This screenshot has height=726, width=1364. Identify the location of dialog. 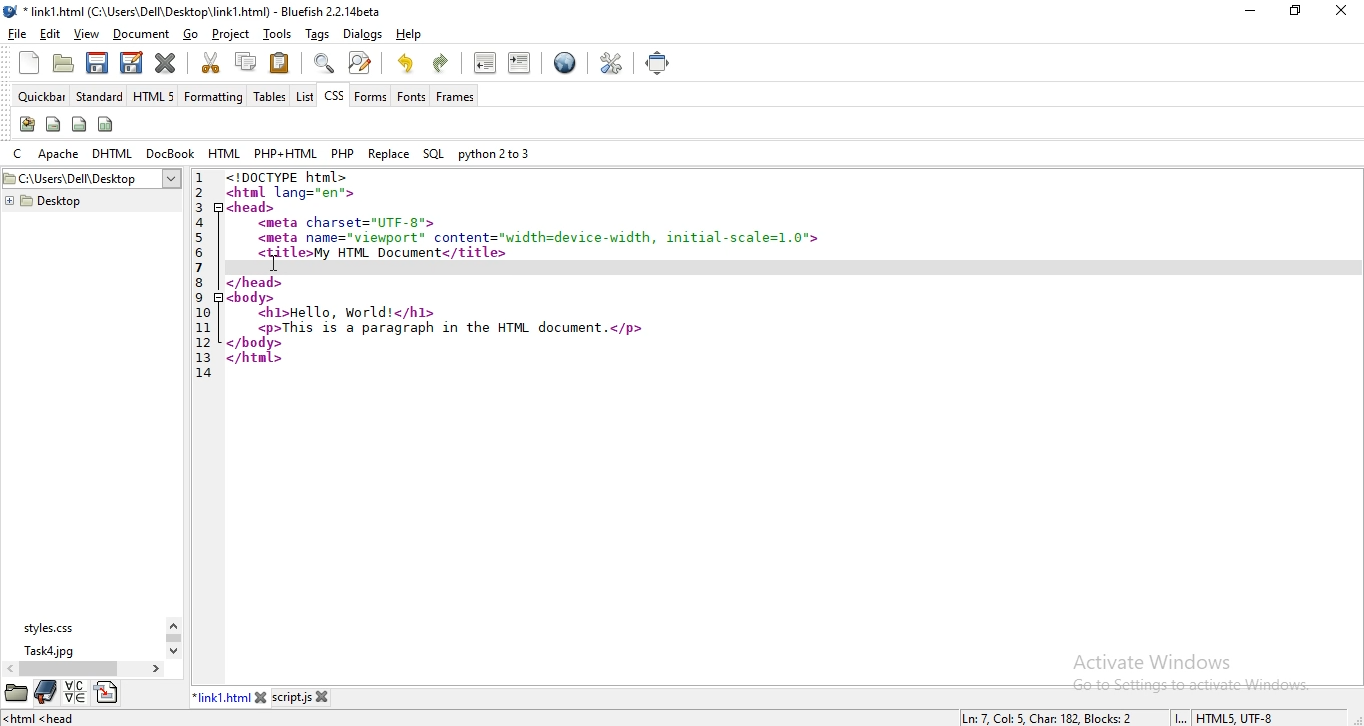
(361, 34).